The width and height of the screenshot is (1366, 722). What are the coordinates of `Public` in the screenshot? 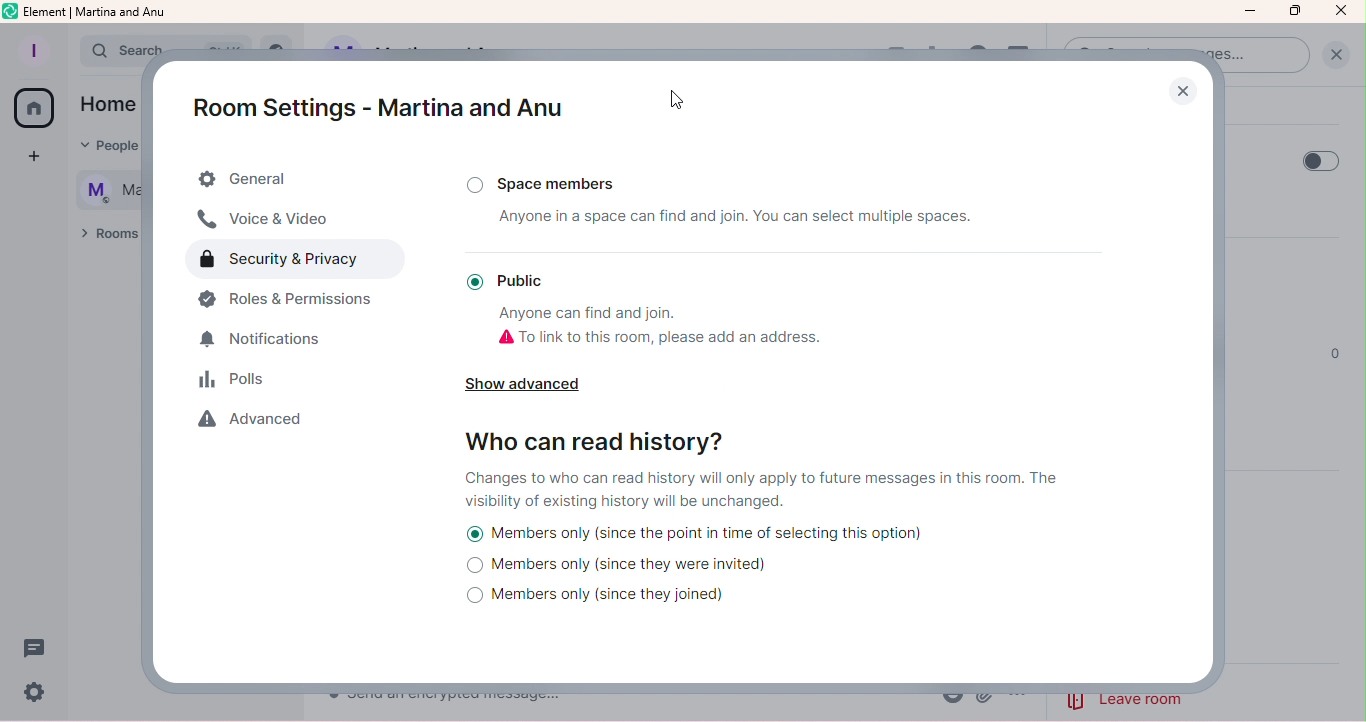 It's located at (507, 280).